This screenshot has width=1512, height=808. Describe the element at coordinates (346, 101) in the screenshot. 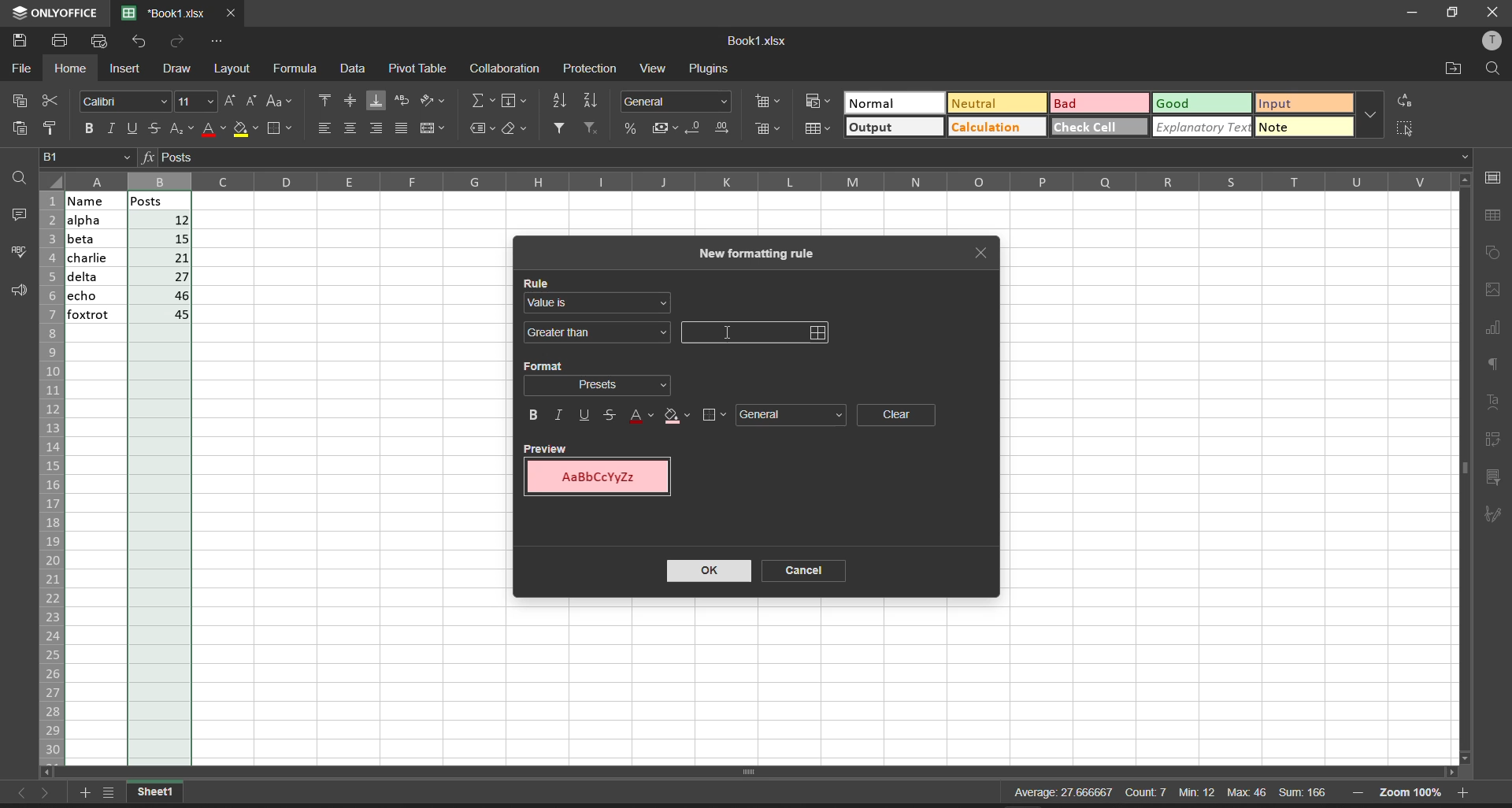

I see `align center` at that location.